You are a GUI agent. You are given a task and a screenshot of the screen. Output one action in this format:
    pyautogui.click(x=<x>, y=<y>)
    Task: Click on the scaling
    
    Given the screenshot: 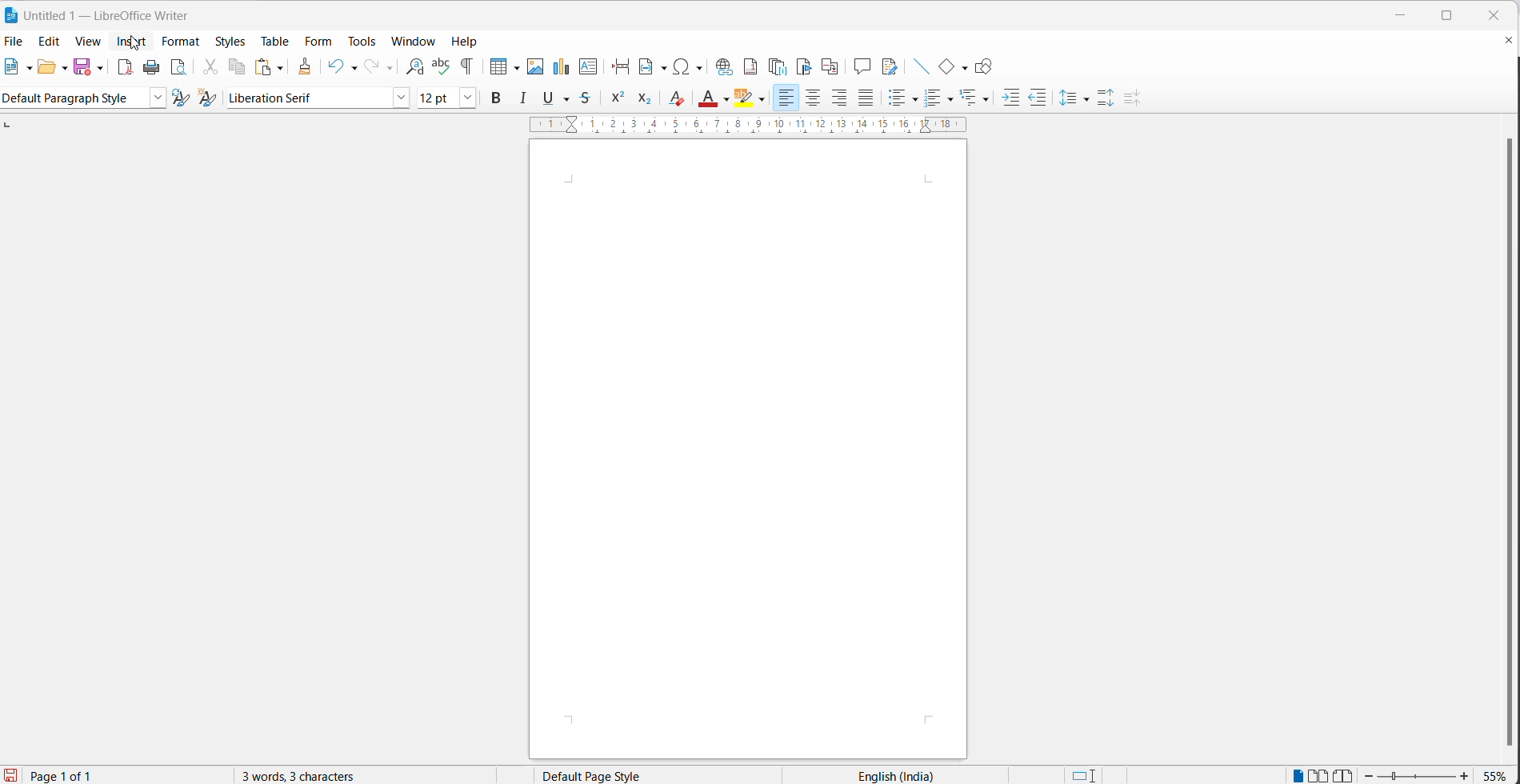 What is the action you would take?
    pyautogui.click(x=736, y=126)
    